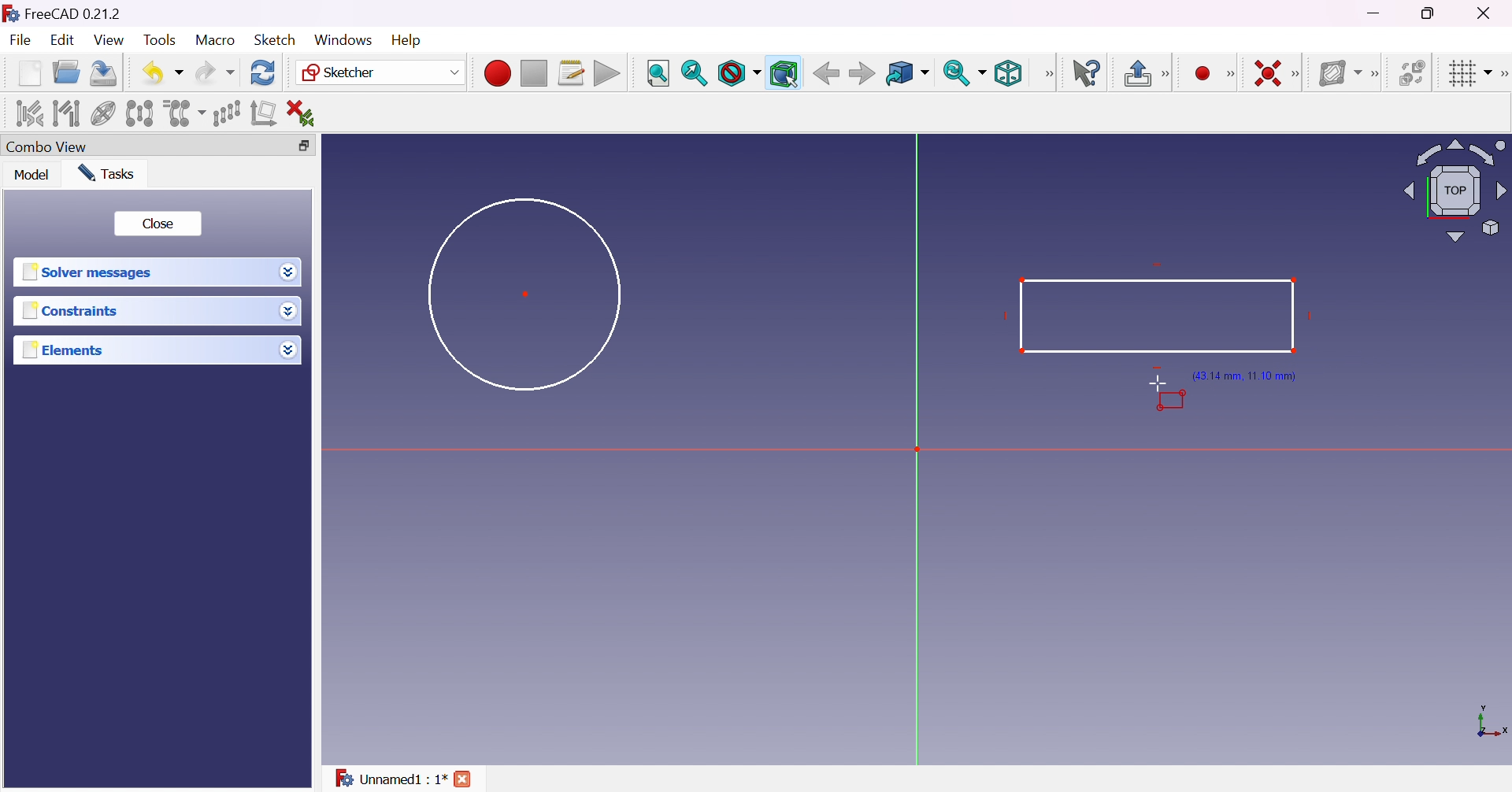 This screenshot has height=792, width=1512. Describe the element at coordinates (215, 72) in the screenshot. I see `Redo` at that location.